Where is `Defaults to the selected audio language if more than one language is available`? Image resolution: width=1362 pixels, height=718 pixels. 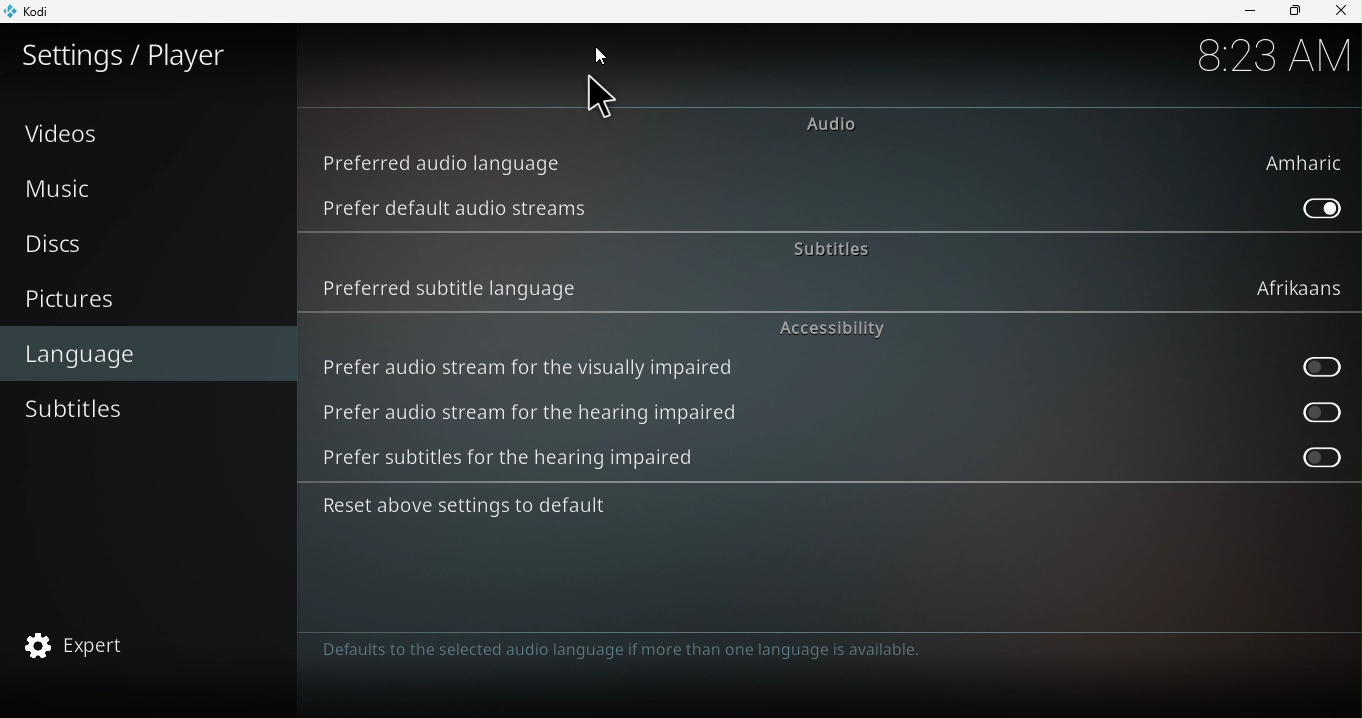
Defaults to the selected audio language if more than one language is available is located at coordinates (651, 654).